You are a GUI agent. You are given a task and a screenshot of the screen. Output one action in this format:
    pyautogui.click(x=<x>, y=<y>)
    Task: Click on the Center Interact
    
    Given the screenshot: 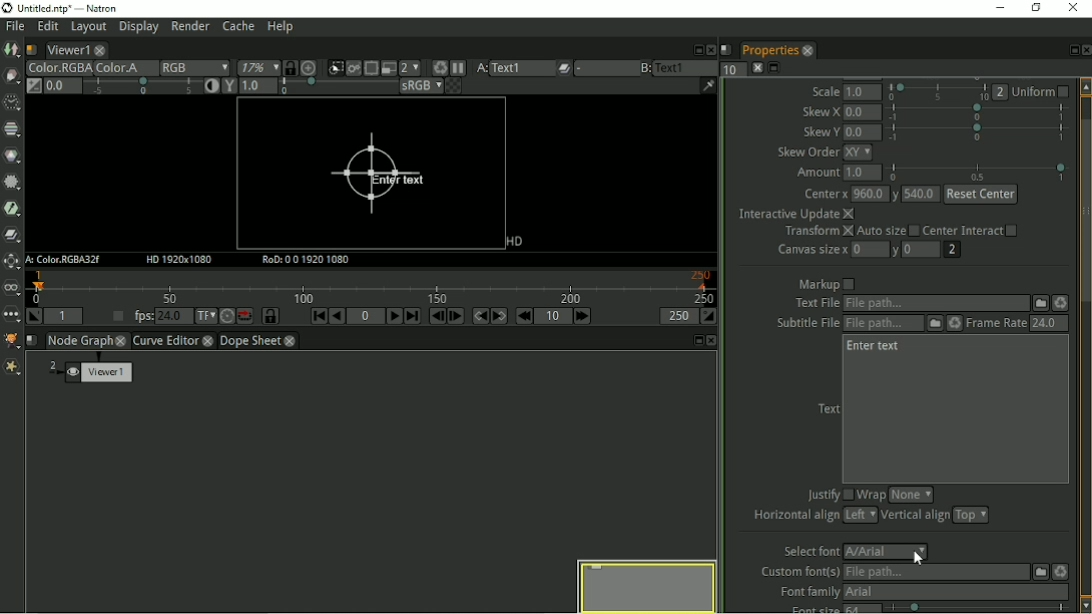 What is the action you would take?
    pyautogui.click(x=972, y=229)
    